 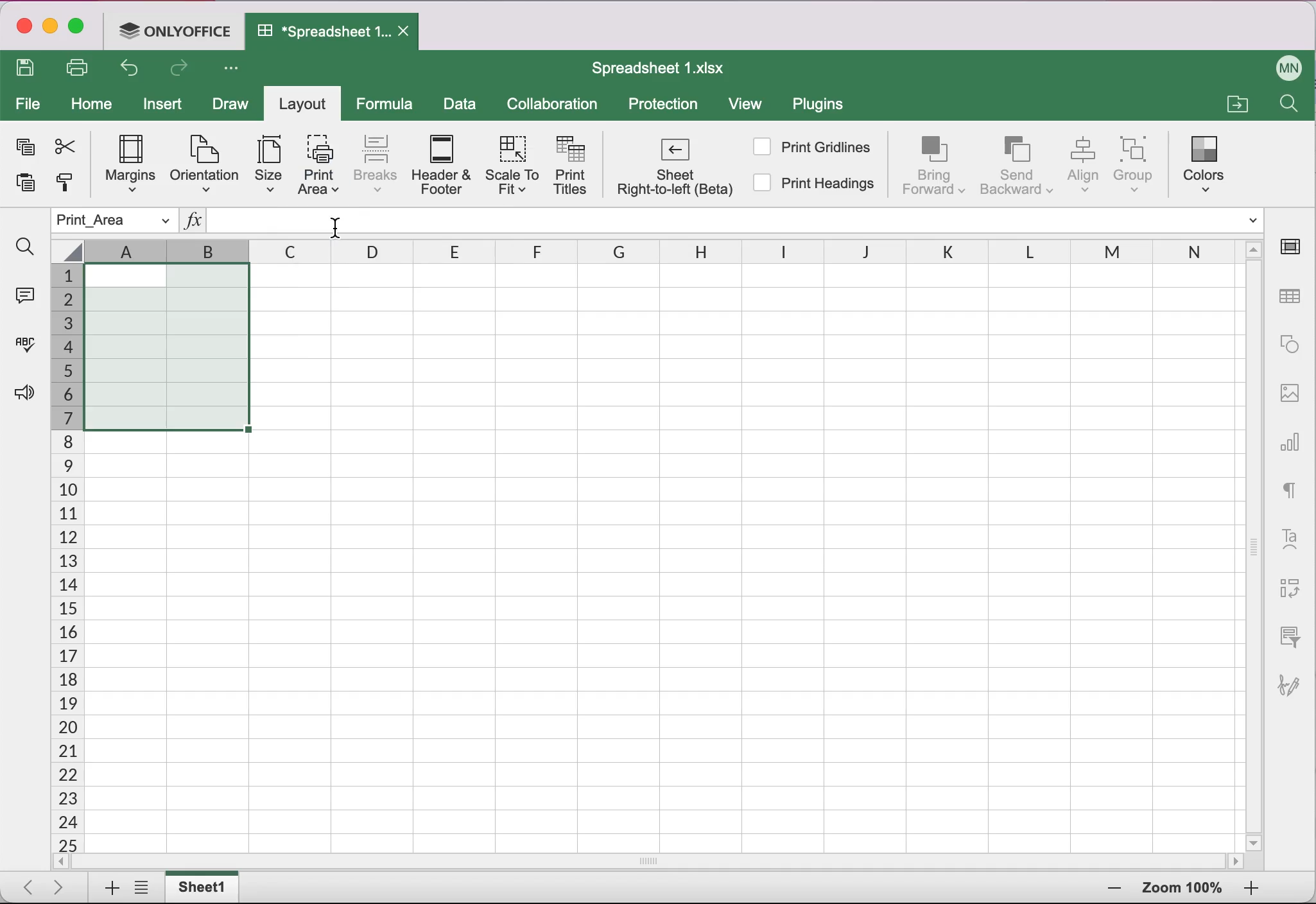 I want to click on sheet tab, so click(x=205, y=887).